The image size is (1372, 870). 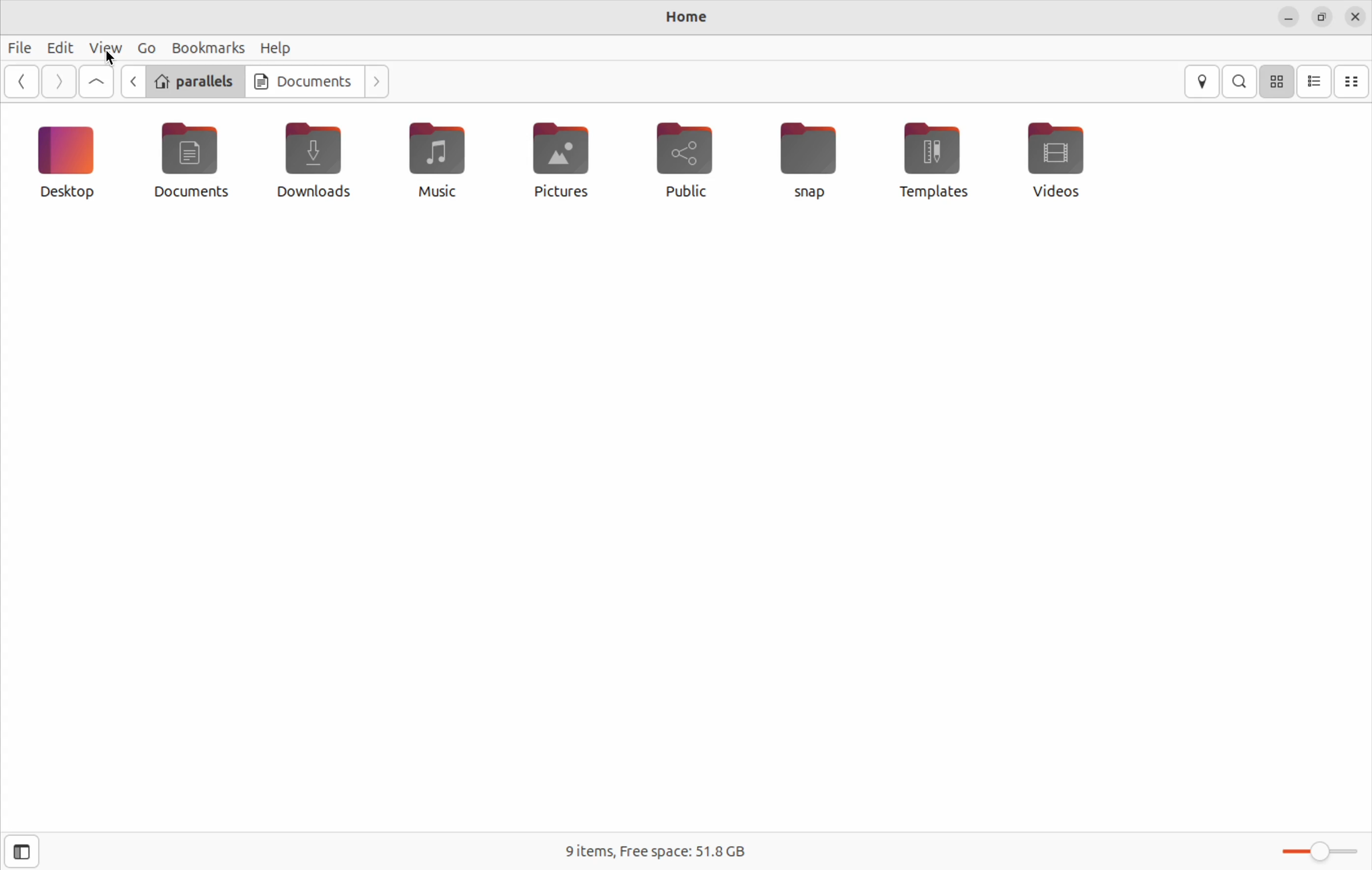 I want to click on pictures, so click(x=557, y=162).